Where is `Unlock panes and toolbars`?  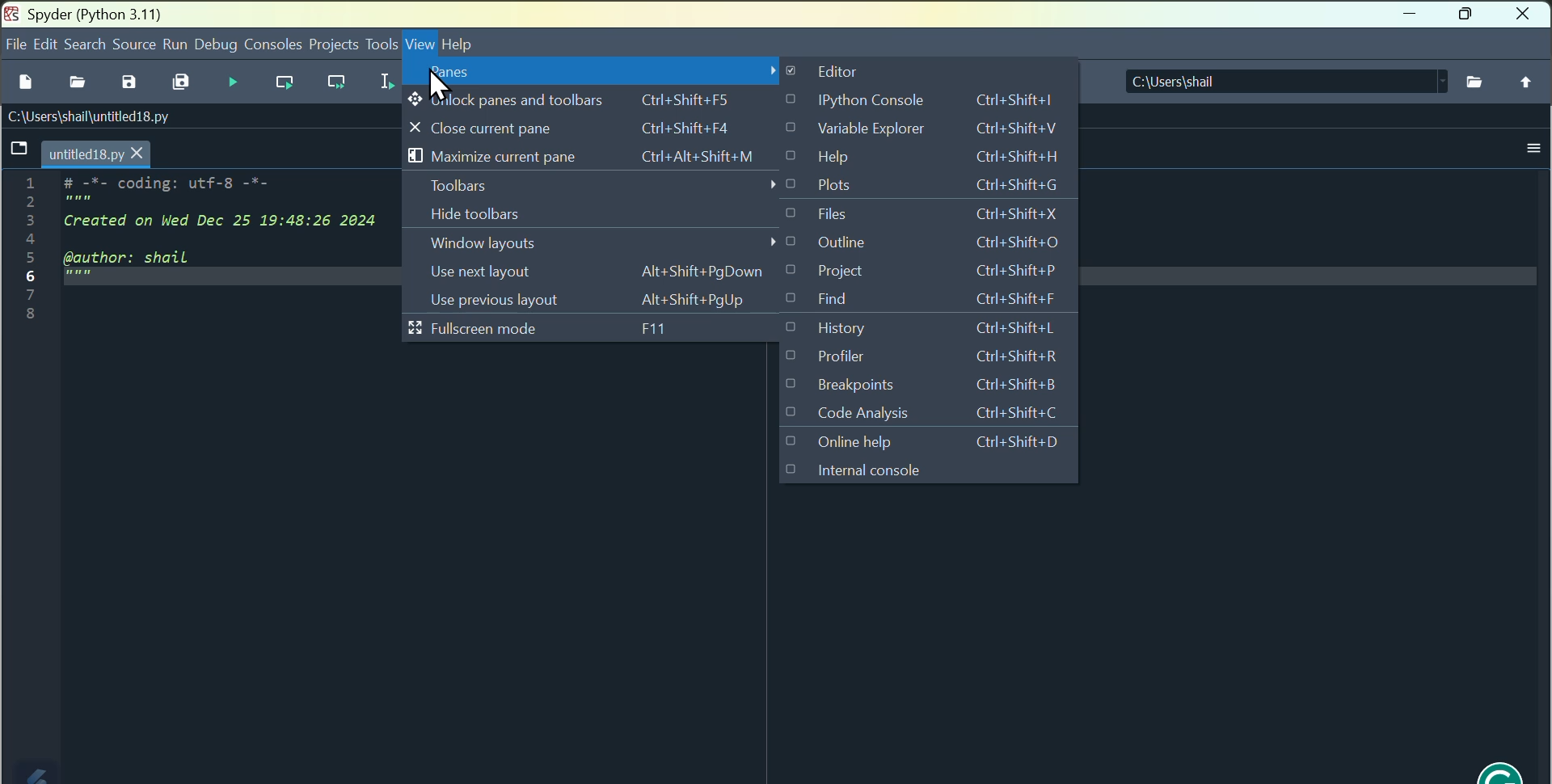
Unlock panes and toolbars is located at coordinates (601, 102).